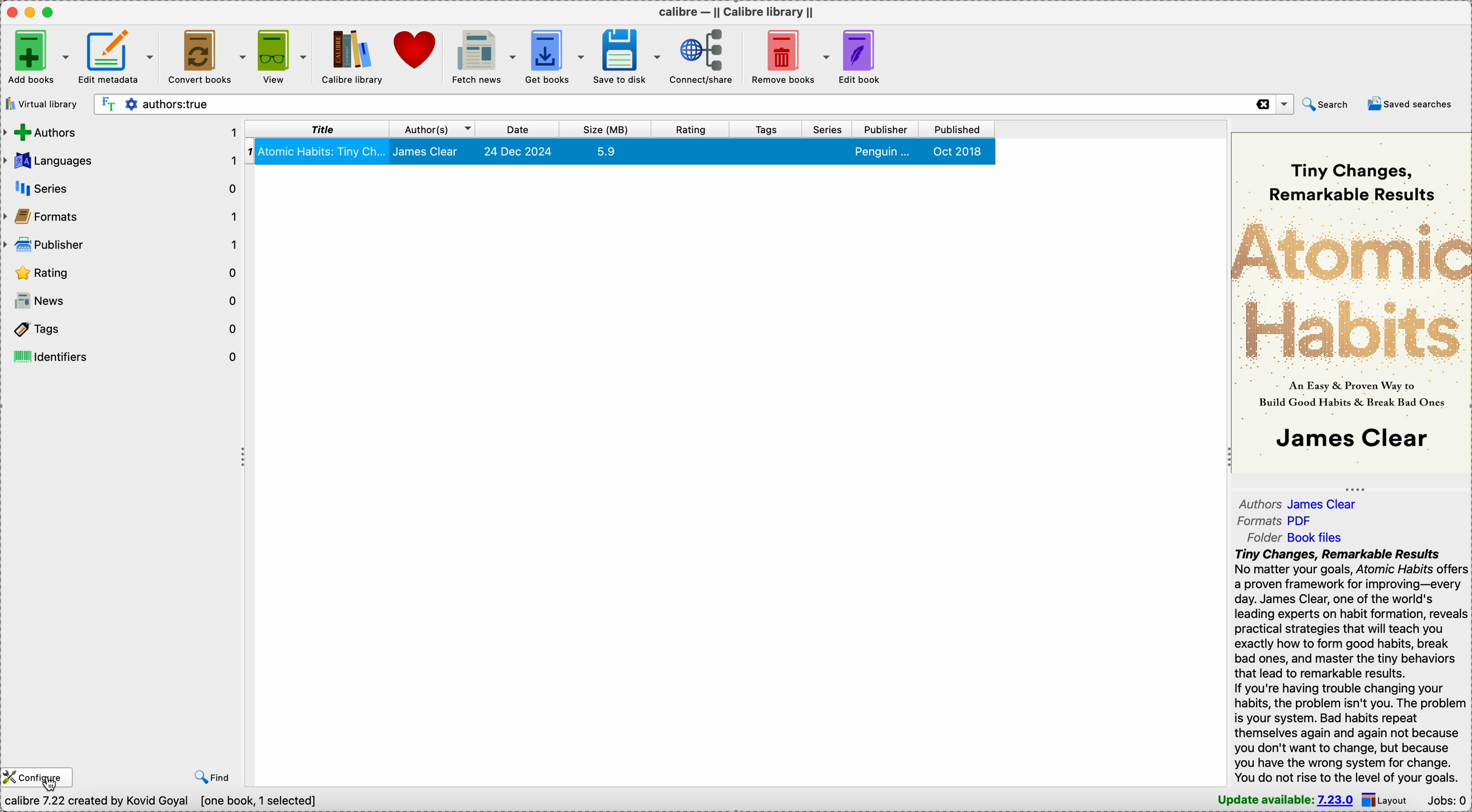 This screenshot has height=812, width=1472. Describe the element at coordinates (243, 457) in the screenshot. I see `toggle expand/contract` at that location.